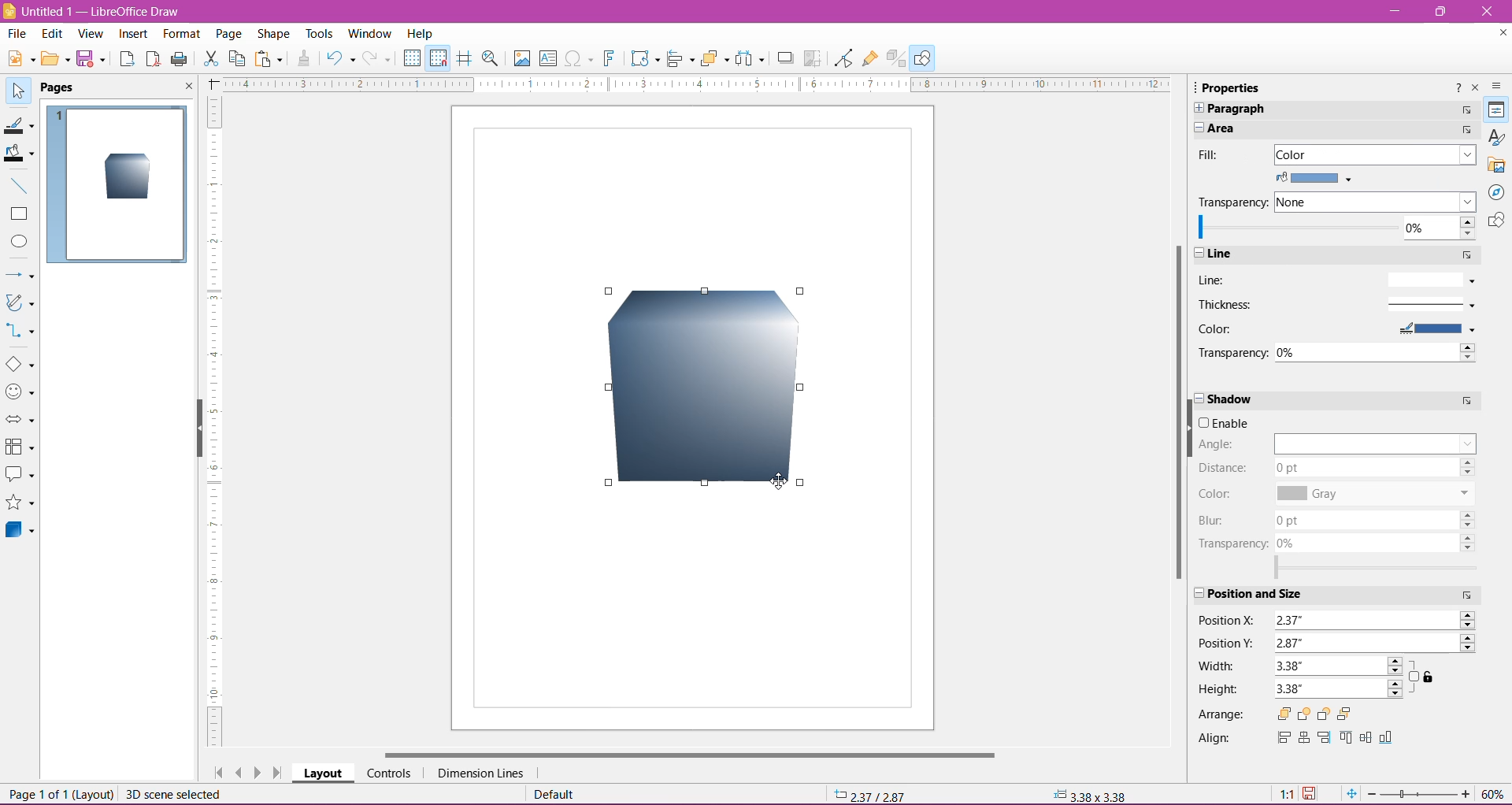  I want to click on Position Y, so click(1228, 644).